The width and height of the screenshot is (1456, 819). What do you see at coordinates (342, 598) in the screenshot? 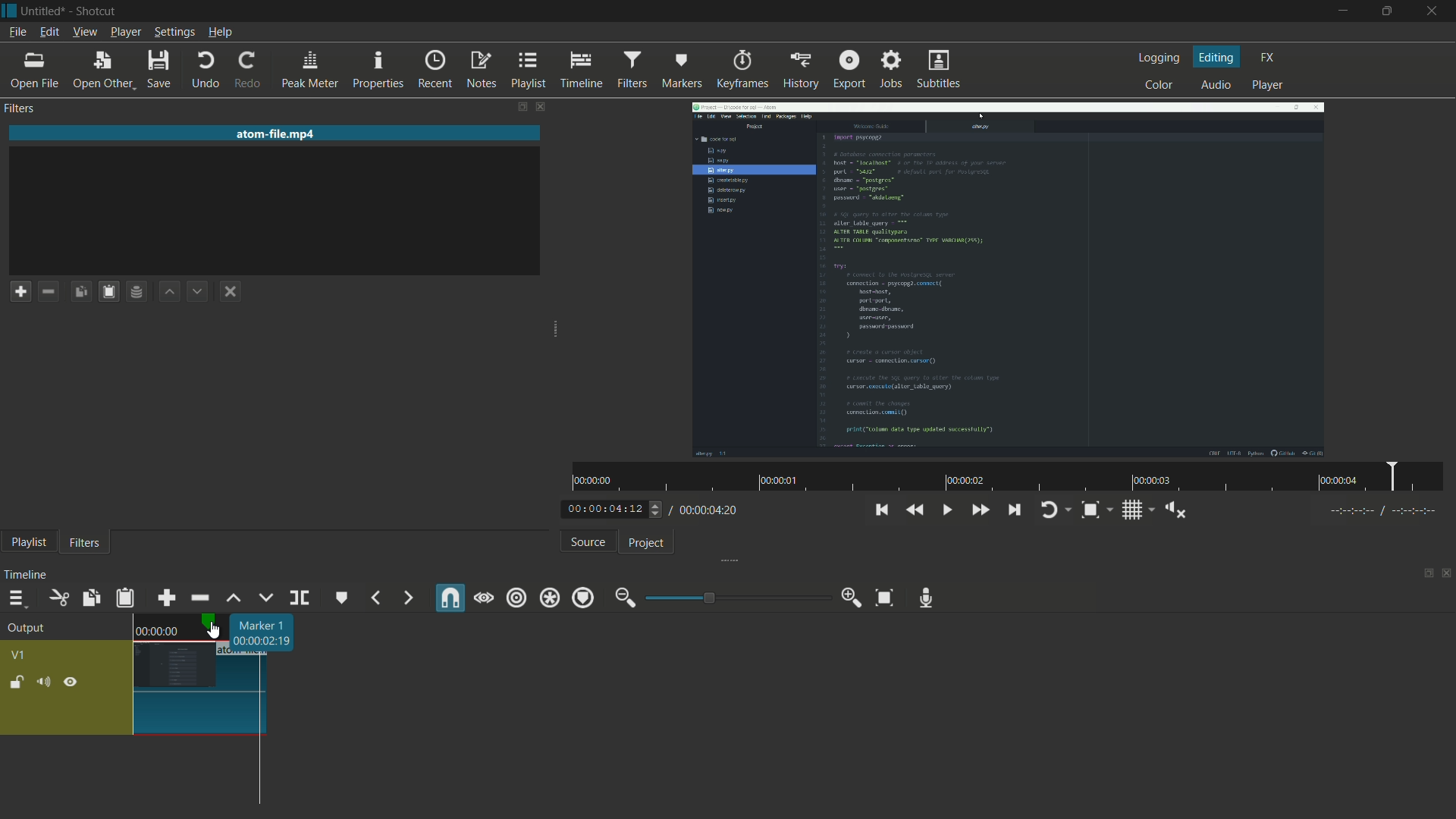
I see `create or edit marker` at bounding box center [342, 598].